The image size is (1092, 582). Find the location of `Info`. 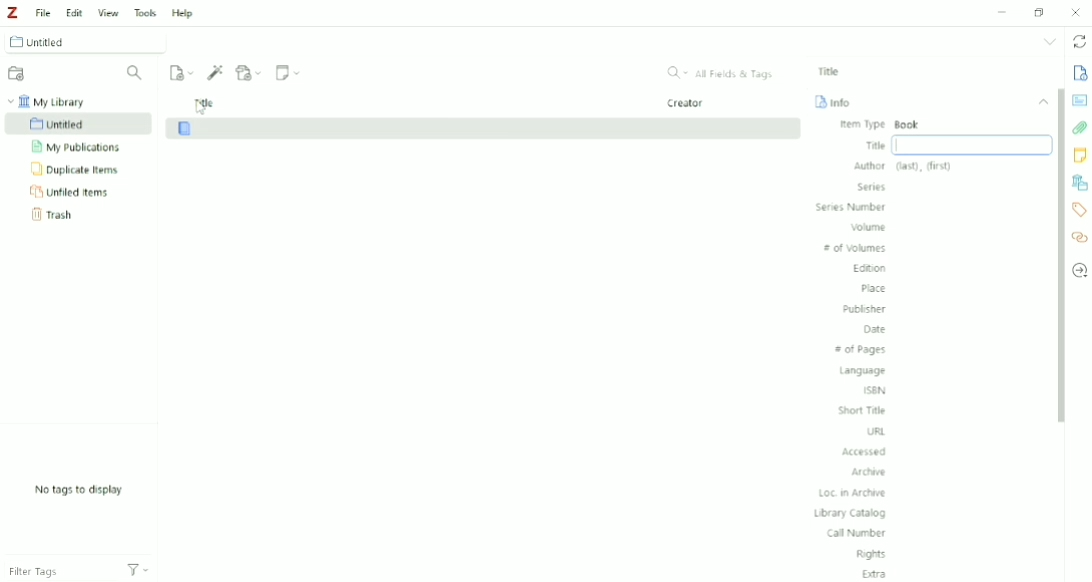

Info is located at coordinates (835, 101).